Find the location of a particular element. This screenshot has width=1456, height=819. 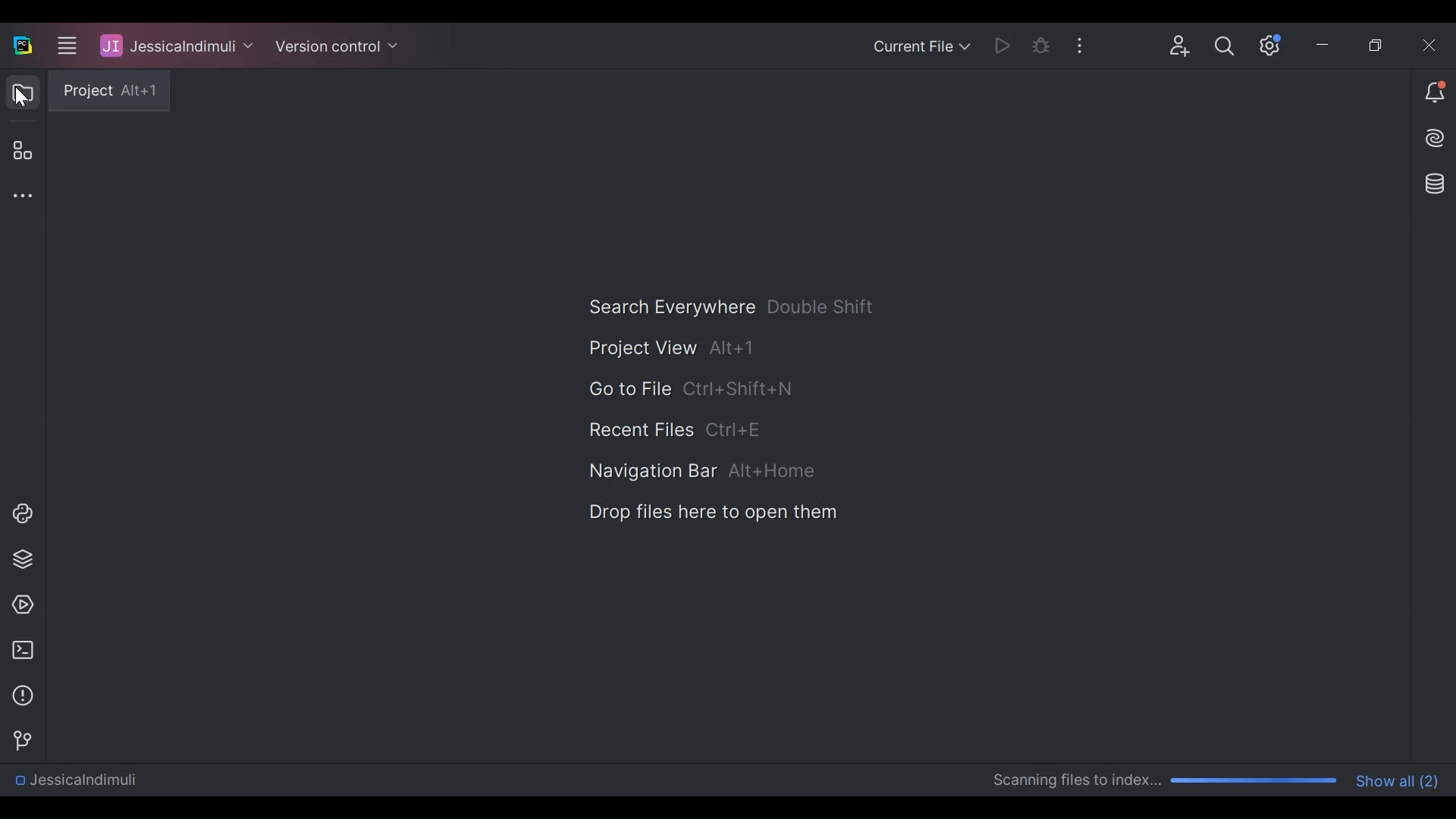

Git is located at coordinates (17, 738).